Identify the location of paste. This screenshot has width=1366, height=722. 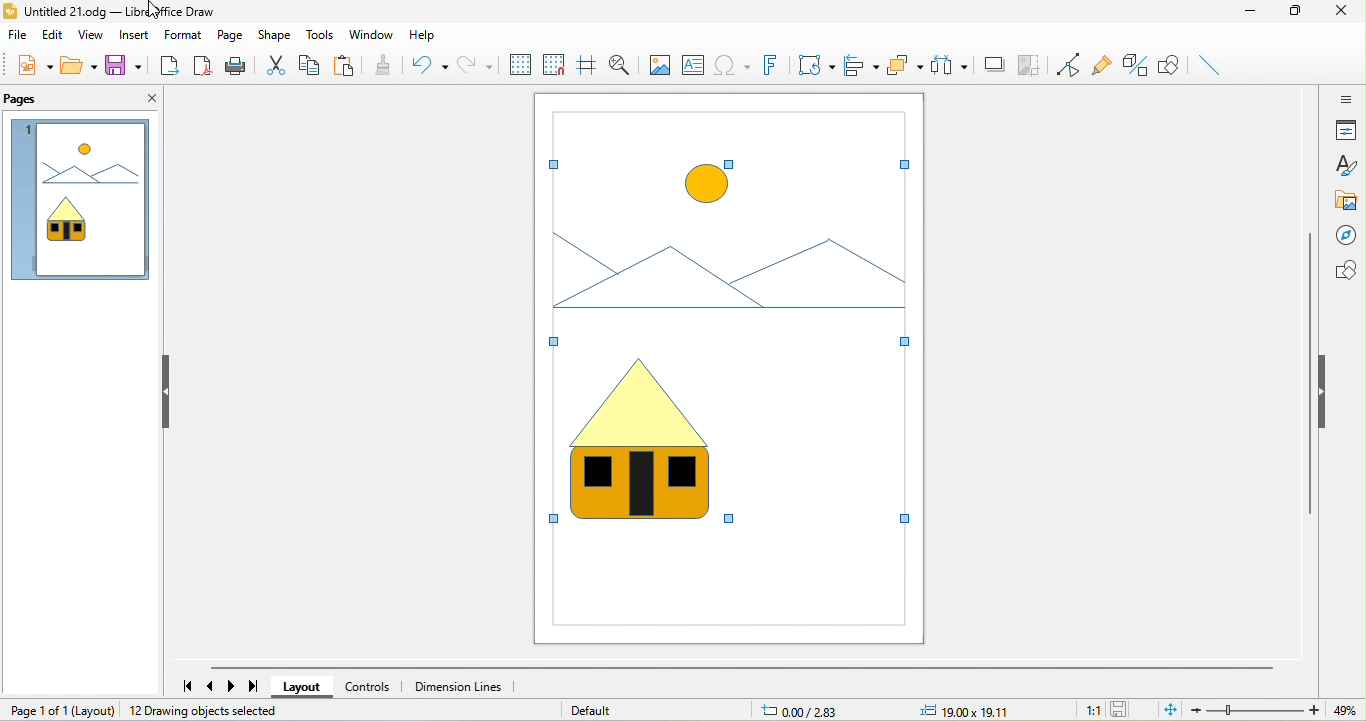
(350, 64).